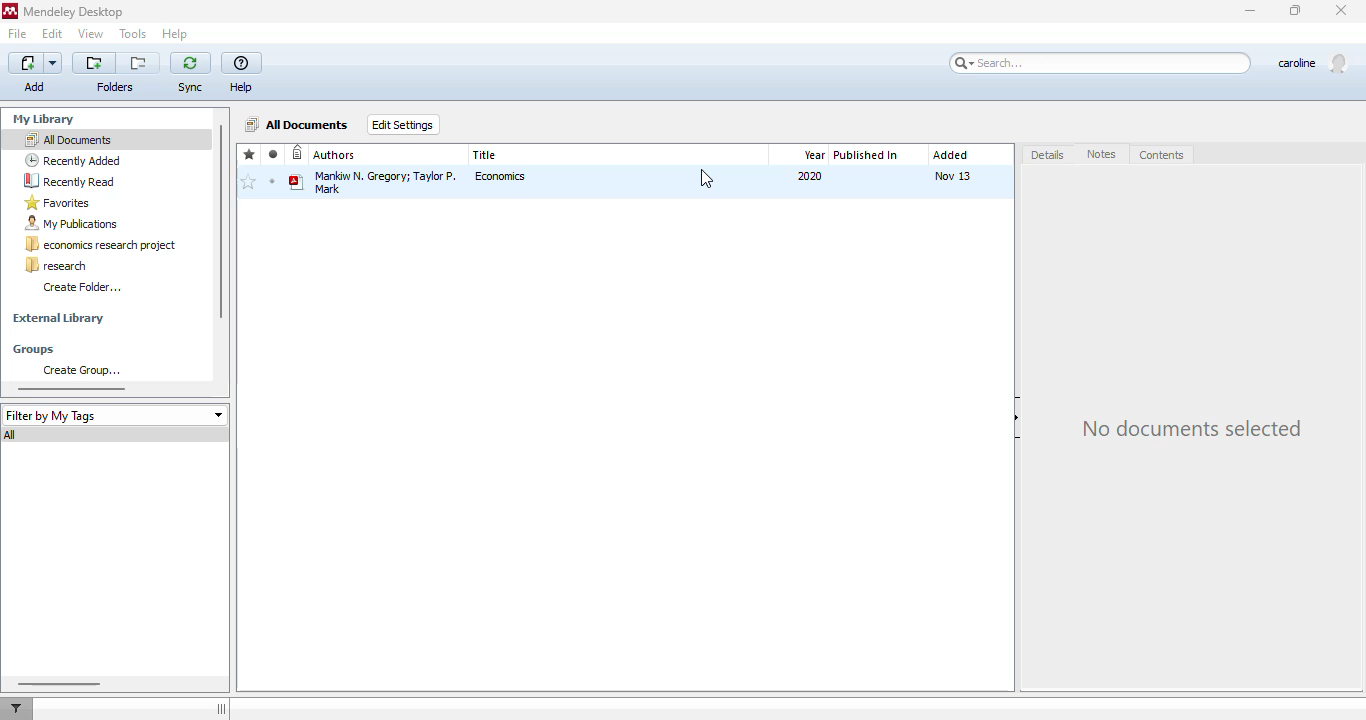 This screenshot has width=1366, height=720. What do you see at coordinates (245, 87) in the screenshot?
I see `Help` at bounding box center [245, 87].